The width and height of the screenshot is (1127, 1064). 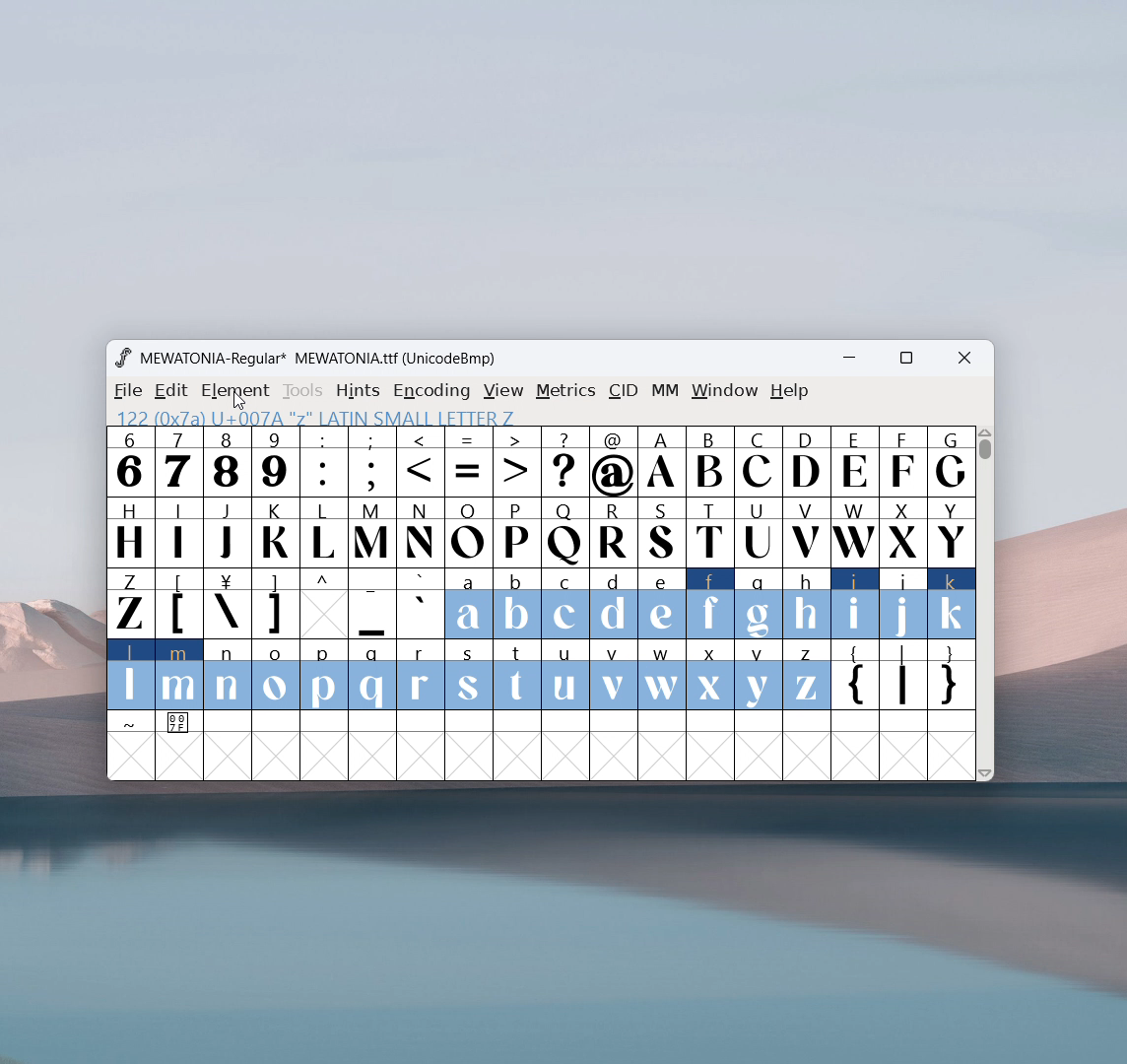 I want to click on 97 (x61) U+0061 "a" LATIN S ETTER, so click(x=310, y=416).